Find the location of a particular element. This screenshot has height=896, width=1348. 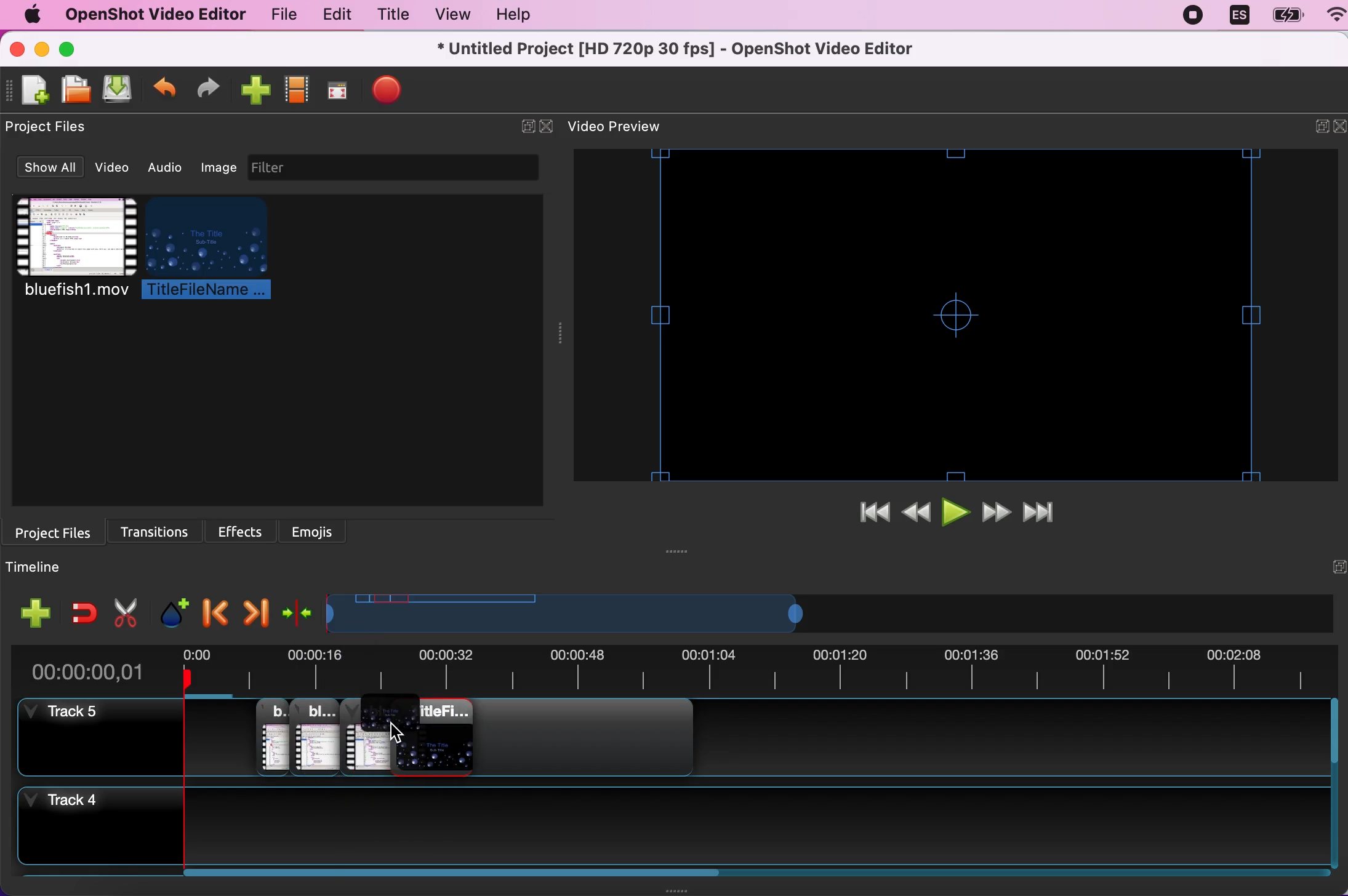

effects is located at coordinates (245, 529).